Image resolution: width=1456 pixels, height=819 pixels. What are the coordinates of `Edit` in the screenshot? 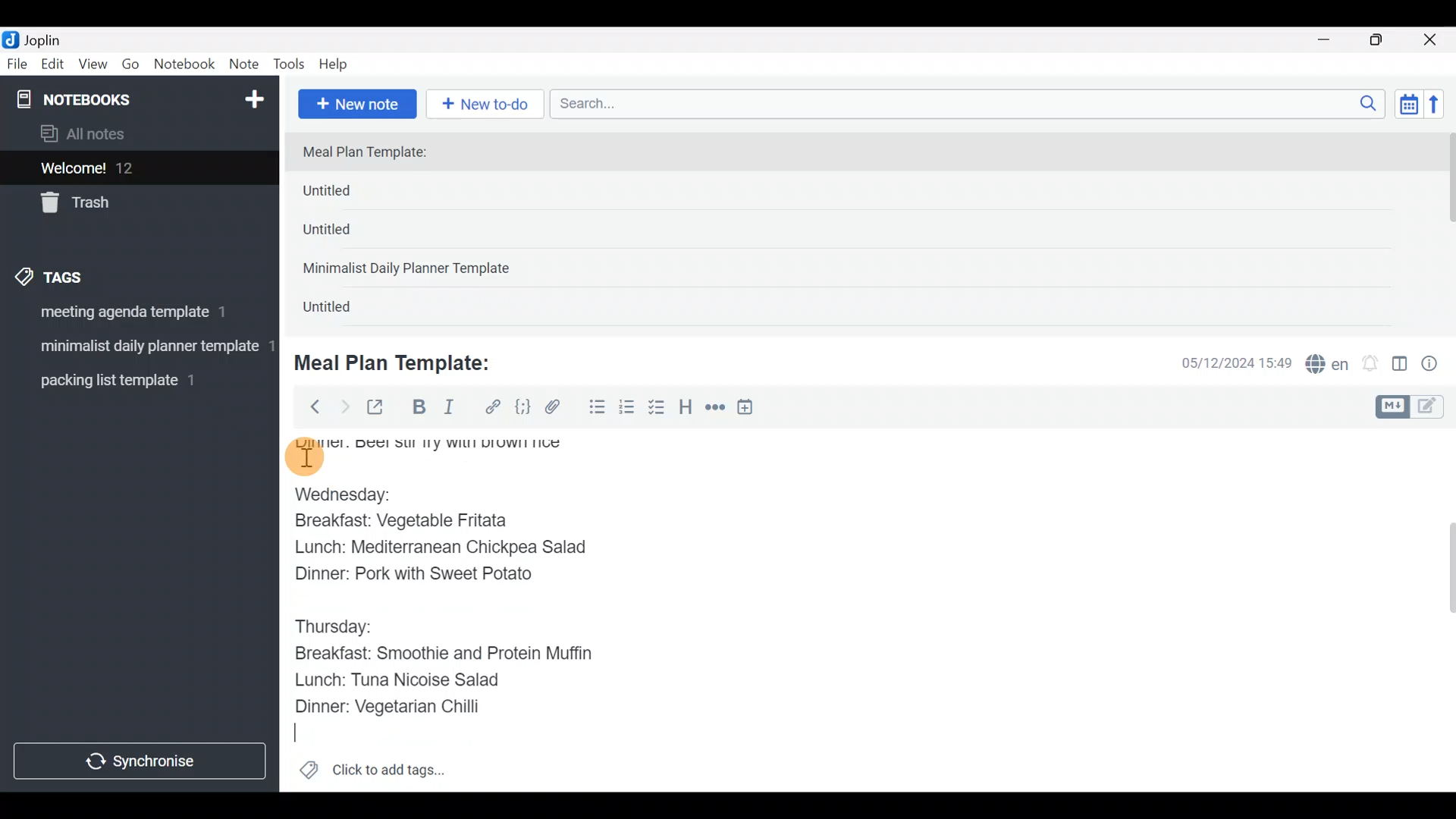 It's located at (53, 67).